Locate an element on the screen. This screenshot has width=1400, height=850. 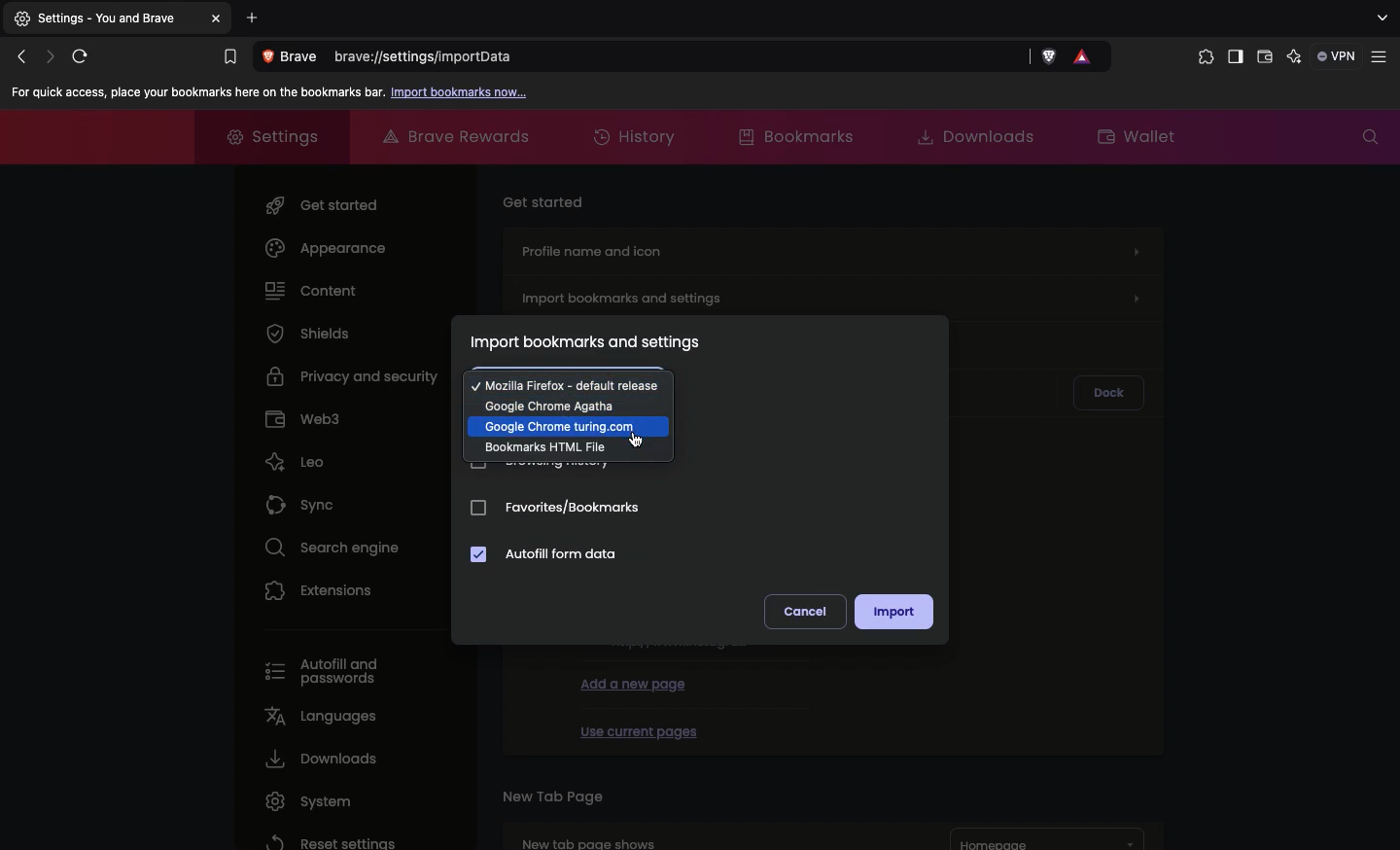
Autofill form data is located at coordinates (546, 555).